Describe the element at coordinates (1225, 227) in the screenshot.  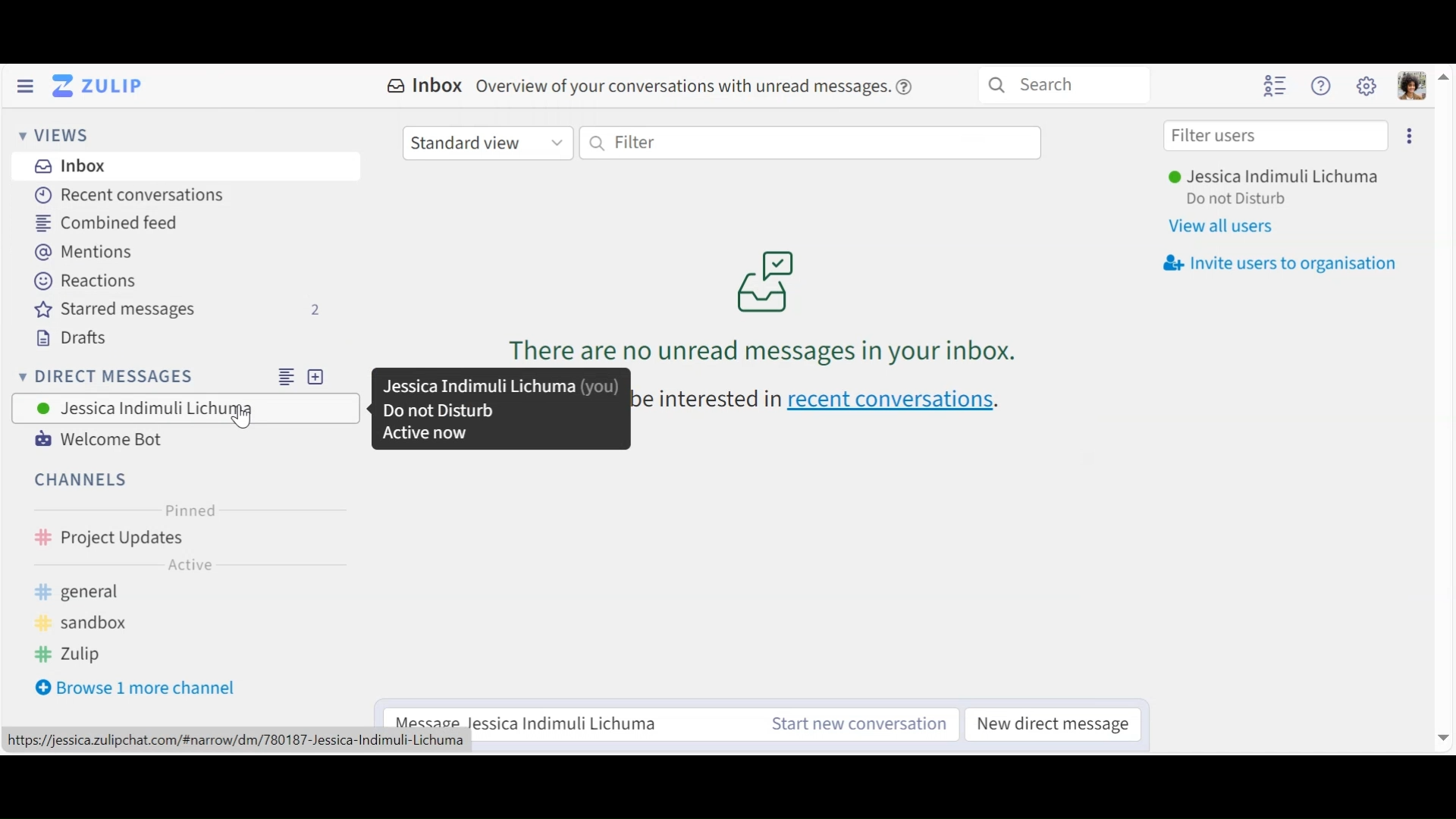
I see `View all users` at that location.